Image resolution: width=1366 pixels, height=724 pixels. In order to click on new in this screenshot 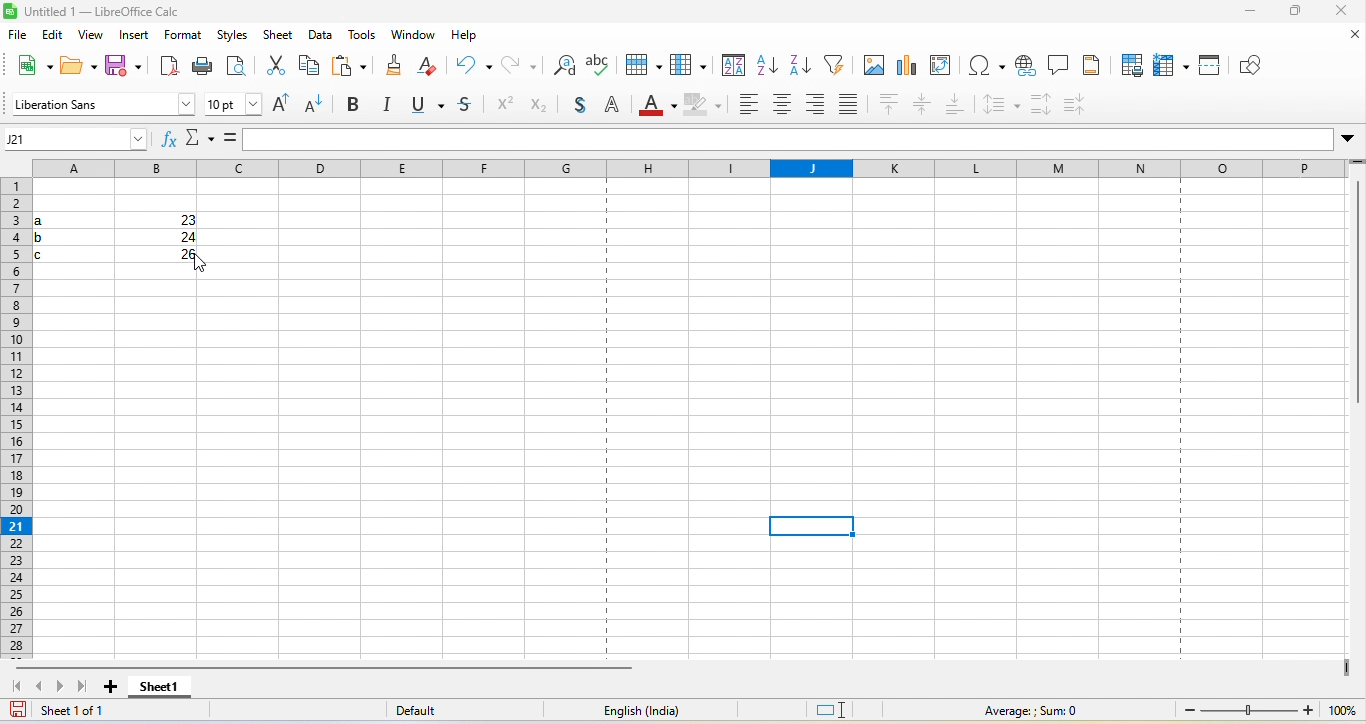, I will do `click(26, 69)`.